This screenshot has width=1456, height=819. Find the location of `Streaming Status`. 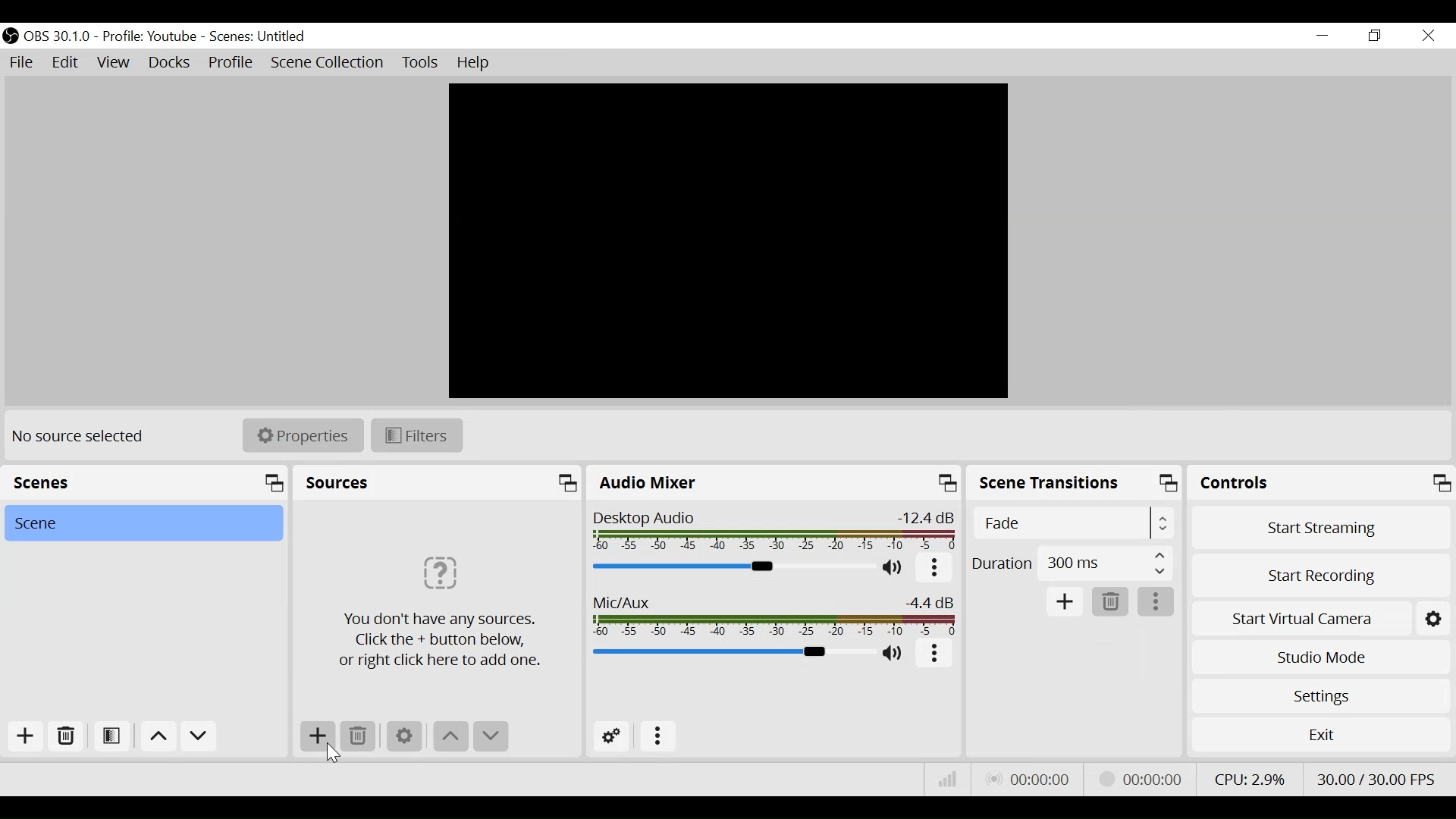

Streaming Status is located at coordinates (1141, 779).